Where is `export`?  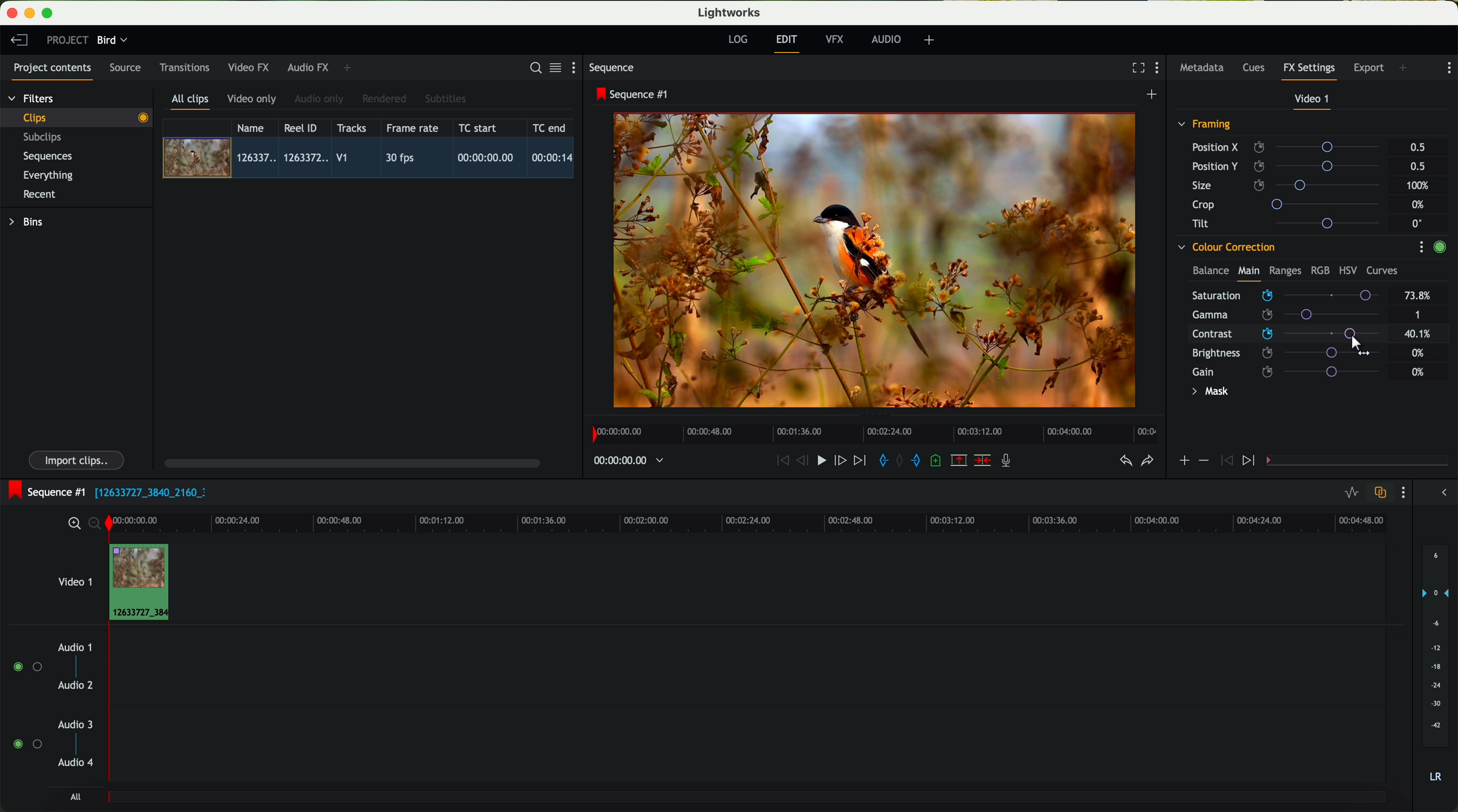 export is located at coordinates (1369, 69).